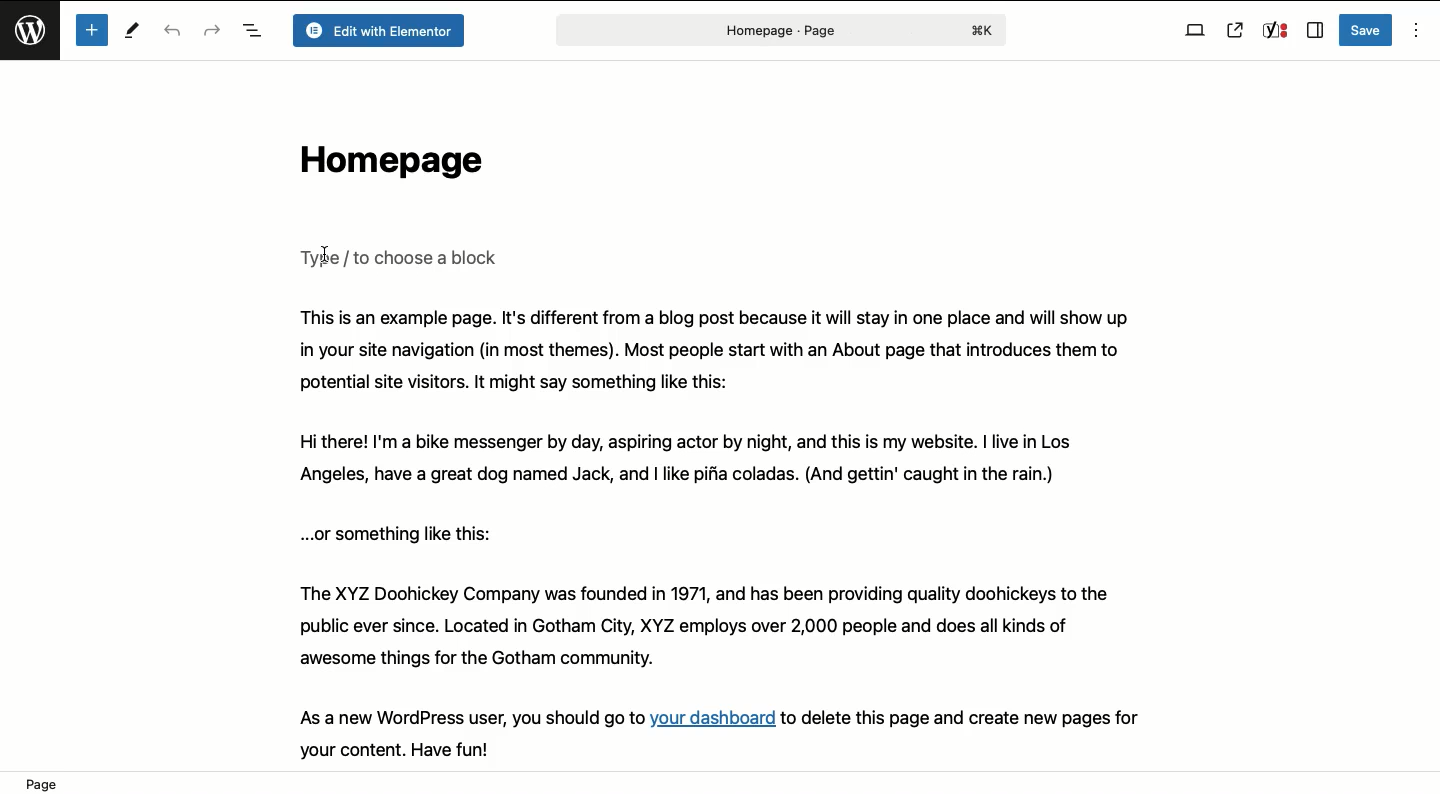 The height and width of the screenshot is (794, 1440). I want to click on Wordpress logo, so click(33, 39).